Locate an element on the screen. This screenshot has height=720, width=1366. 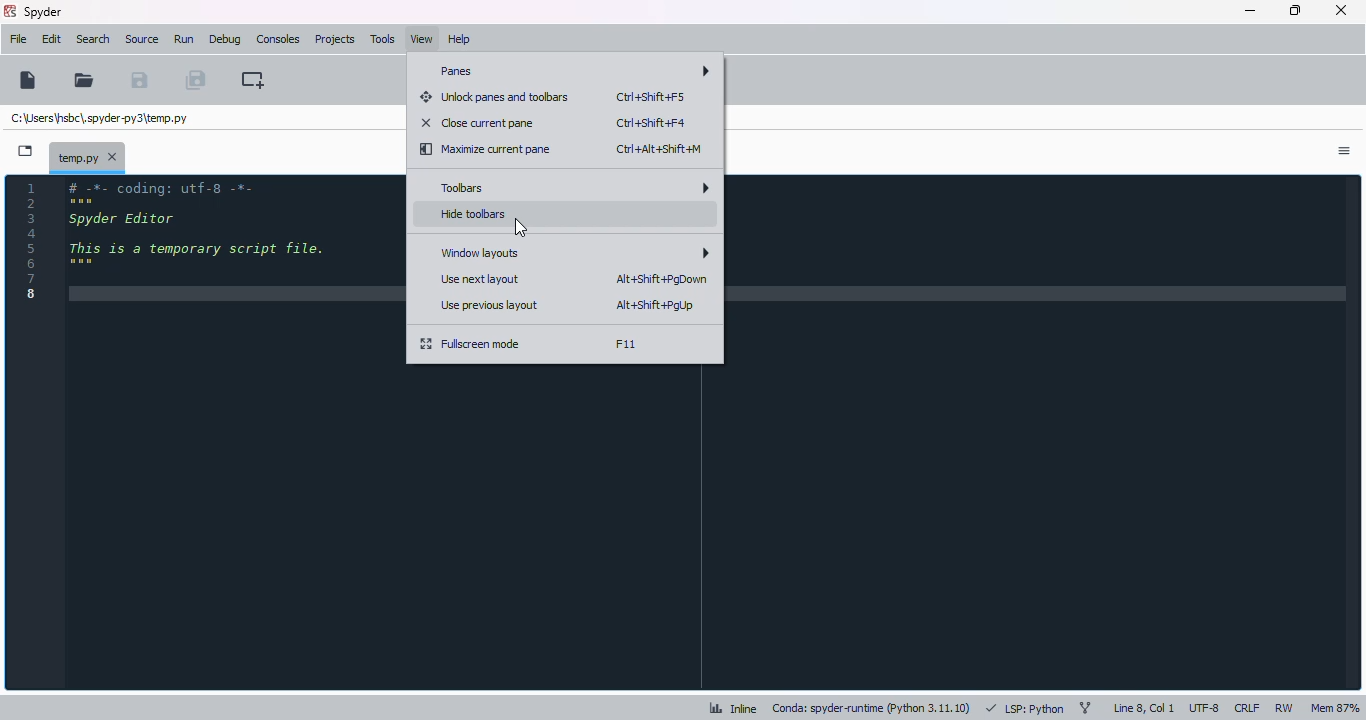
panes is located at coordinates (569, 70).